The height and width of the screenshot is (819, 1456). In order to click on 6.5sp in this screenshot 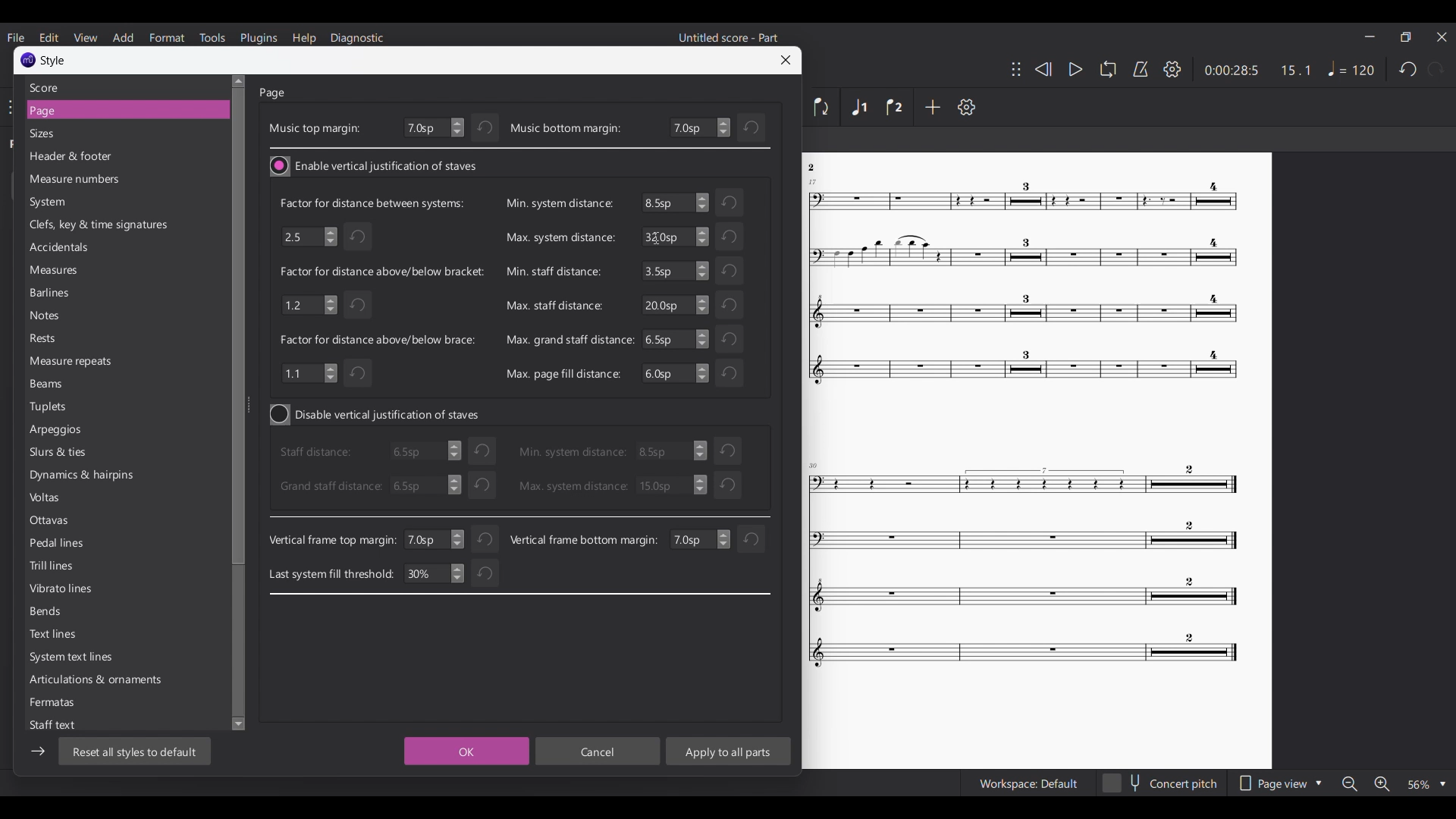, I will do `click(423, 485)`.